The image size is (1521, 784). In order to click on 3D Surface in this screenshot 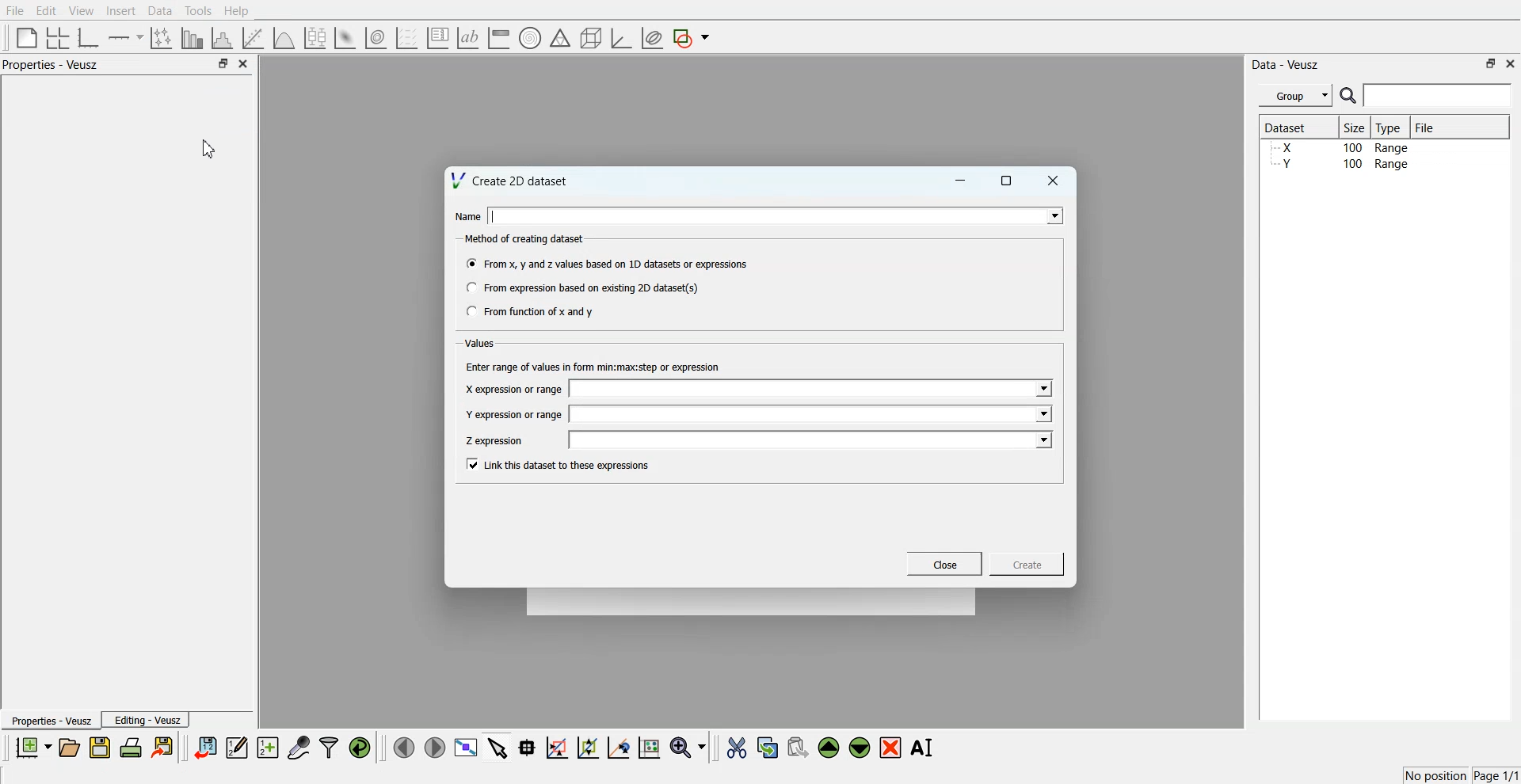, I will do `click(345, 38)`.